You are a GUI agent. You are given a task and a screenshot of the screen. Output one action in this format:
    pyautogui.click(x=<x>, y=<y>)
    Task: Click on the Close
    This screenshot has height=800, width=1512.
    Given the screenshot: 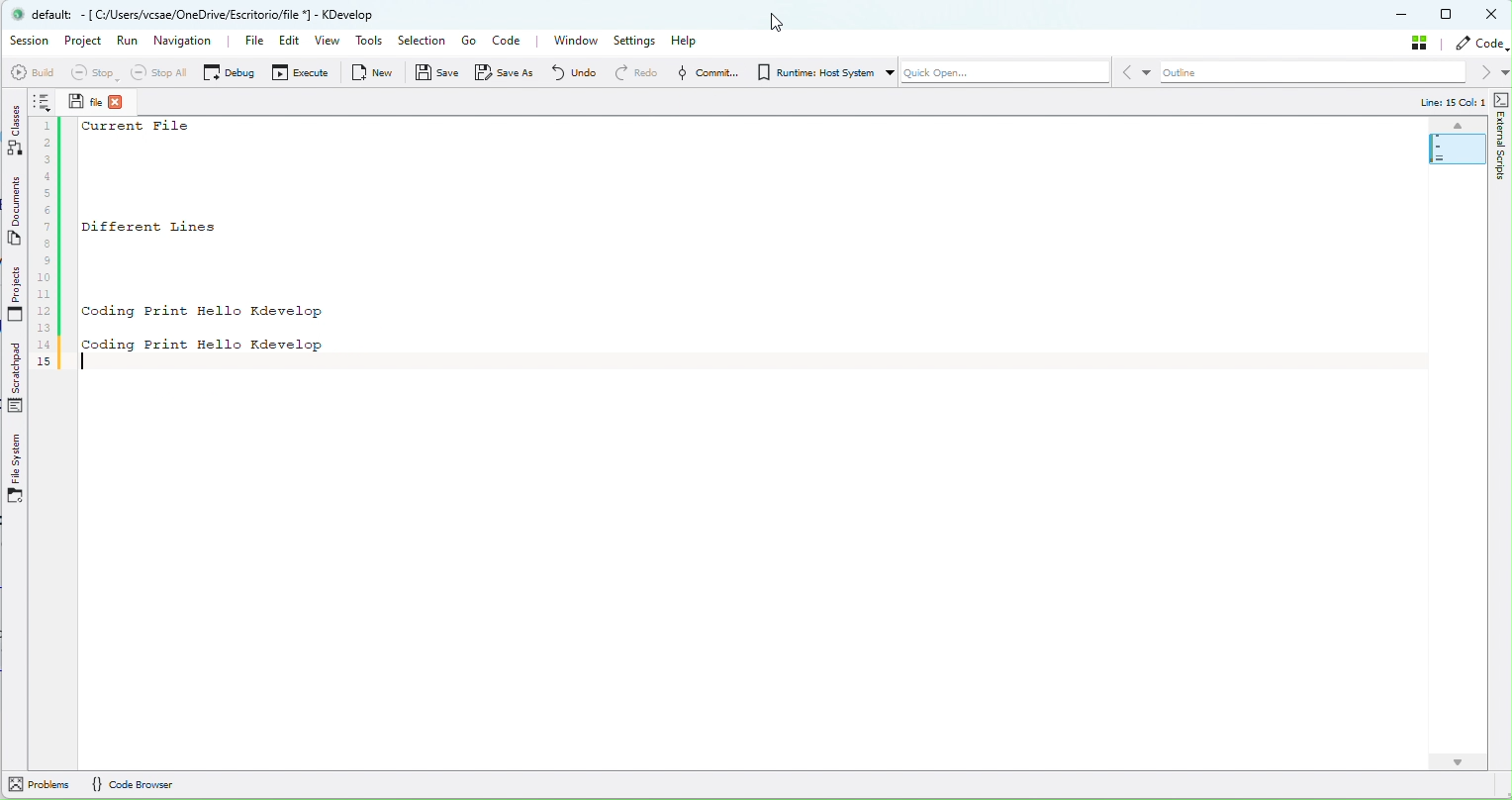 What is the action you would take?
    pyautogui.click(x=1493, y=15)
    